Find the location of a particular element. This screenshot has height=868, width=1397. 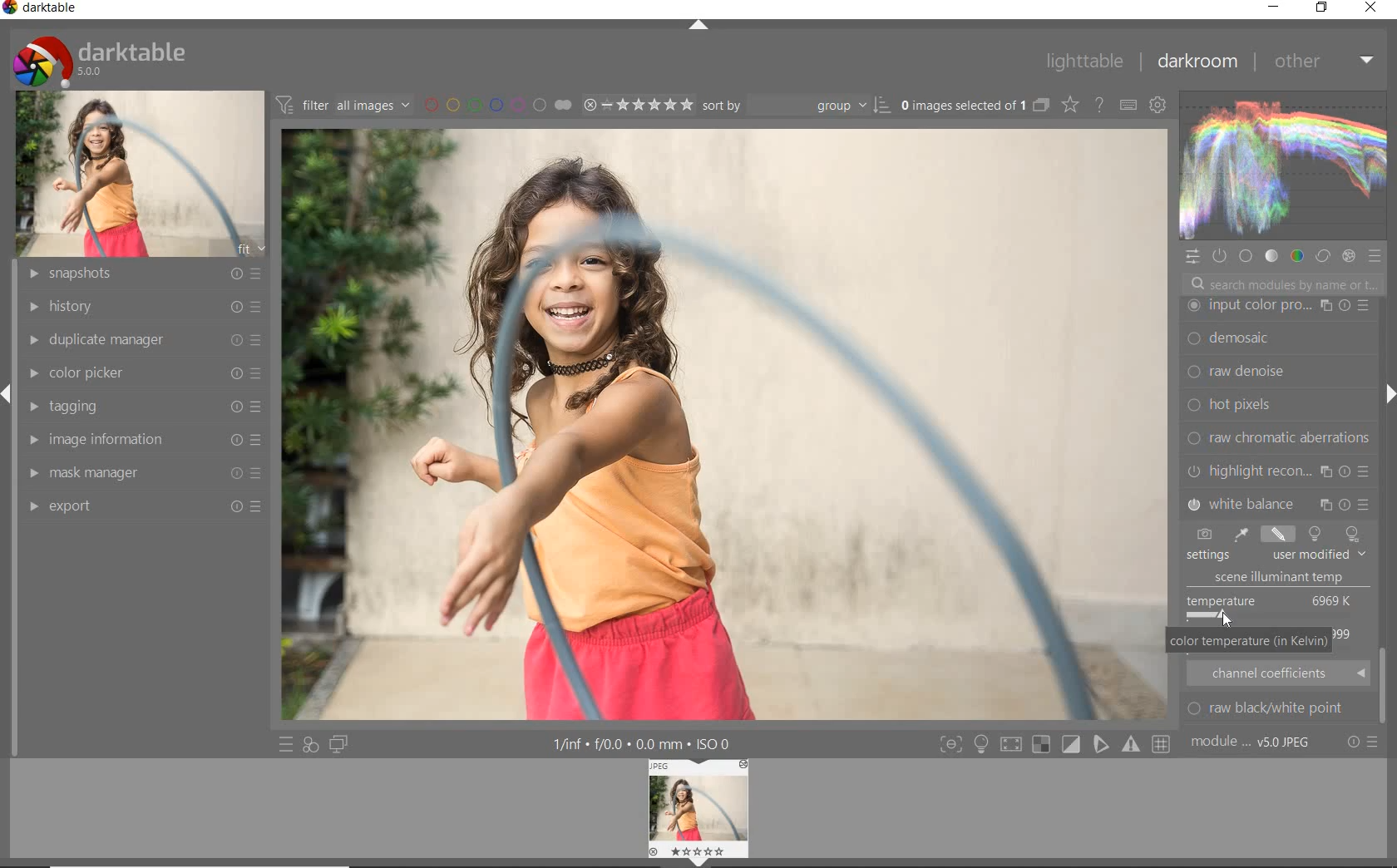

lighttable is located at coordinates (1084, 62).